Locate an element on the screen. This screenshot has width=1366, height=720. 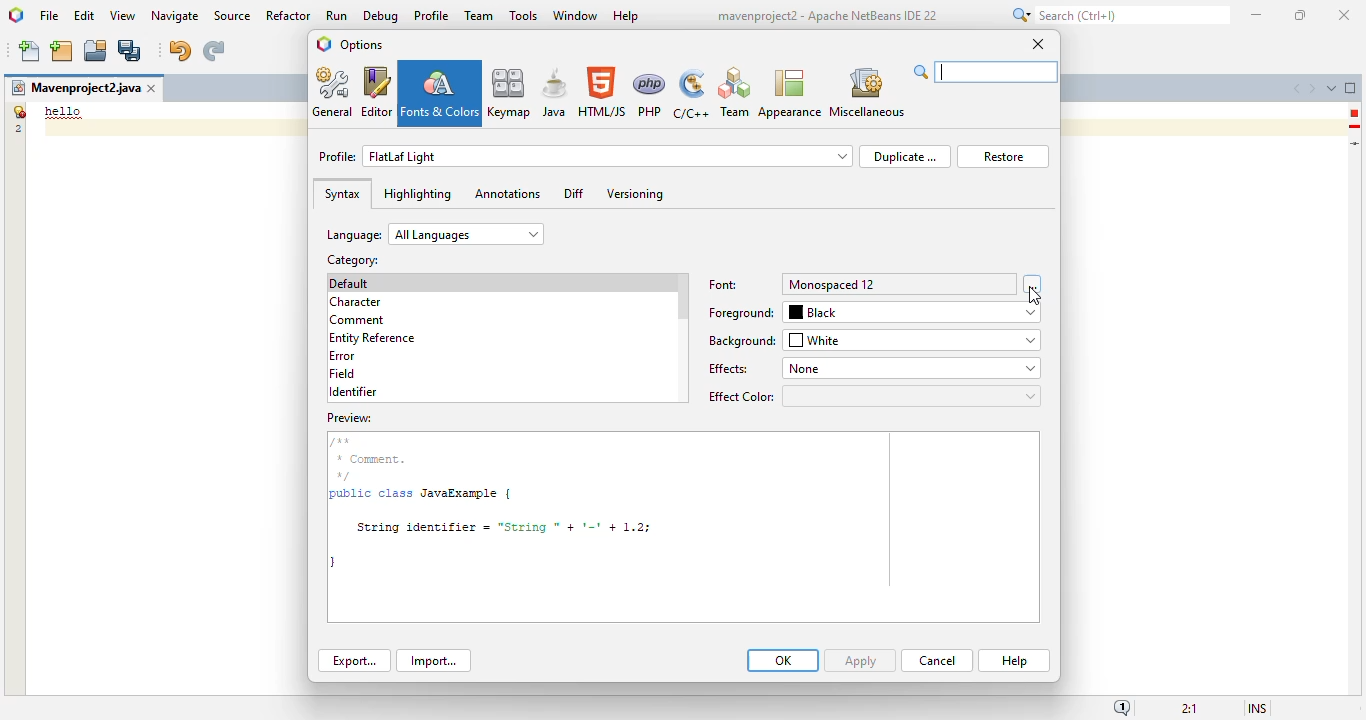
error is located at coordinates (342, 356).